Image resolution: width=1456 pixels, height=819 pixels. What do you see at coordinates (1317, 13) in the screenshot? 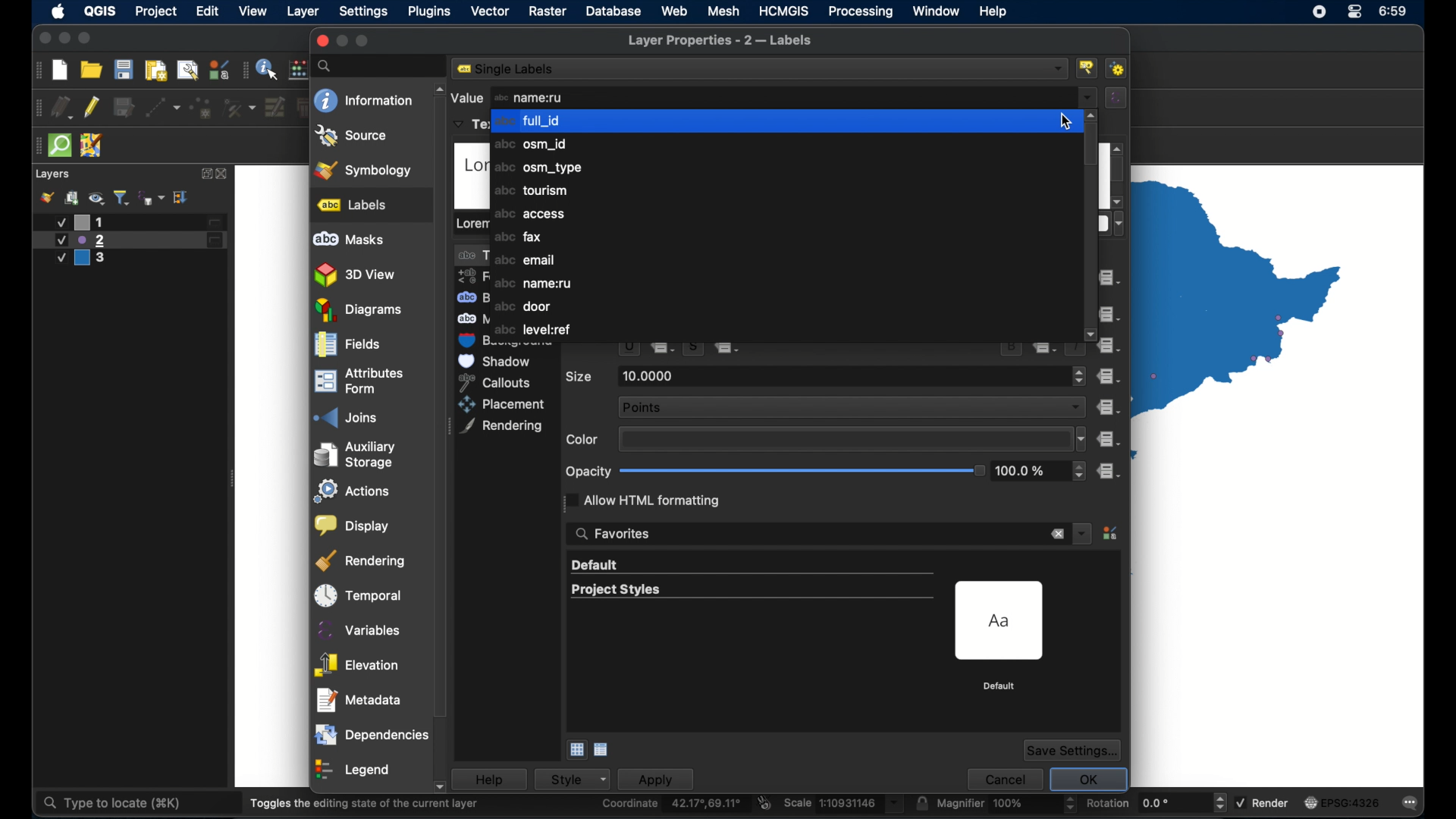
I see `control  center` at bounding box center [1317, 13].